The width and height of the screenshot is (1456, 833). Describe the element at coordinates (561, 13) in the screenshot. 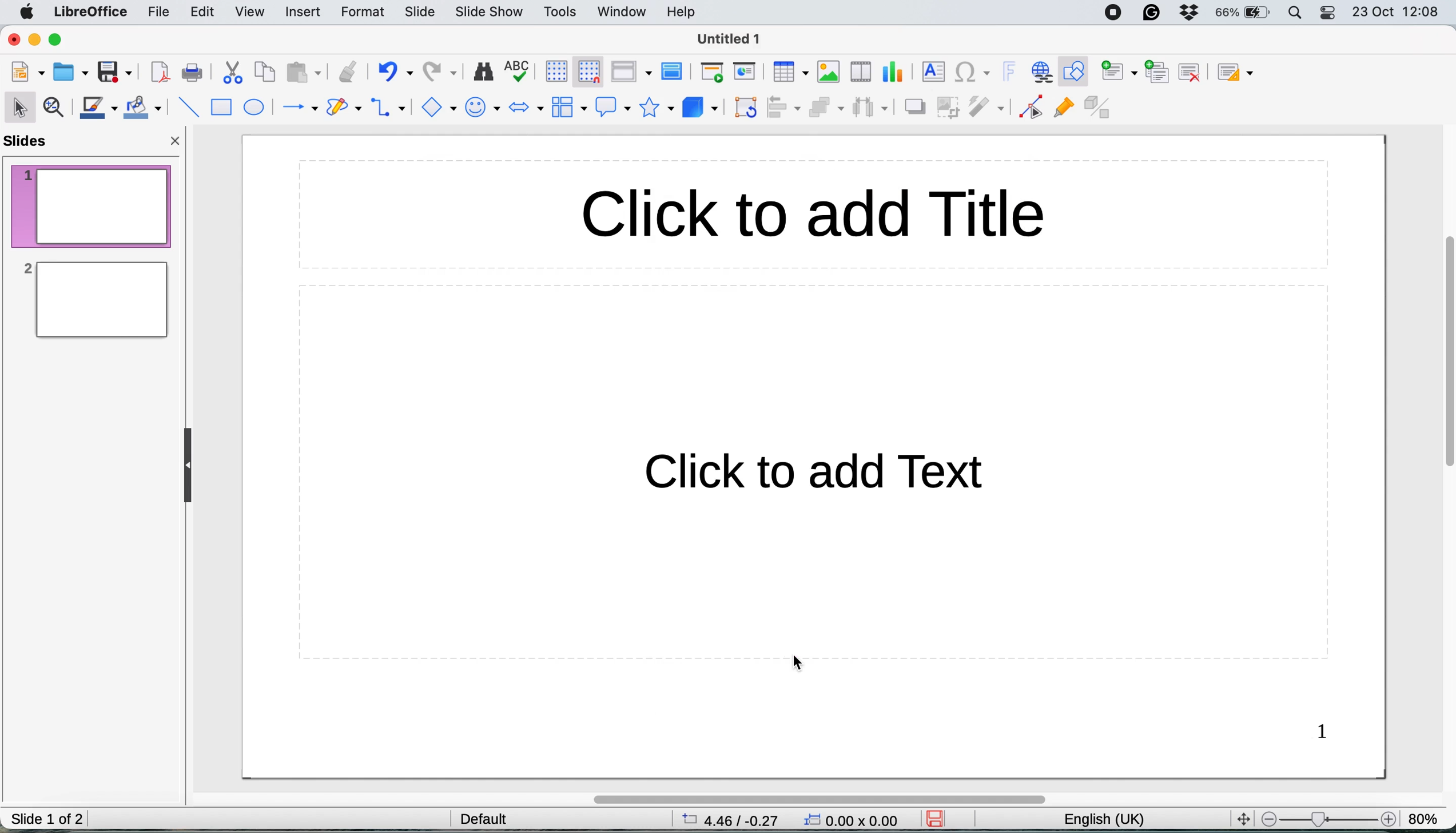

I see `tools` at that location.